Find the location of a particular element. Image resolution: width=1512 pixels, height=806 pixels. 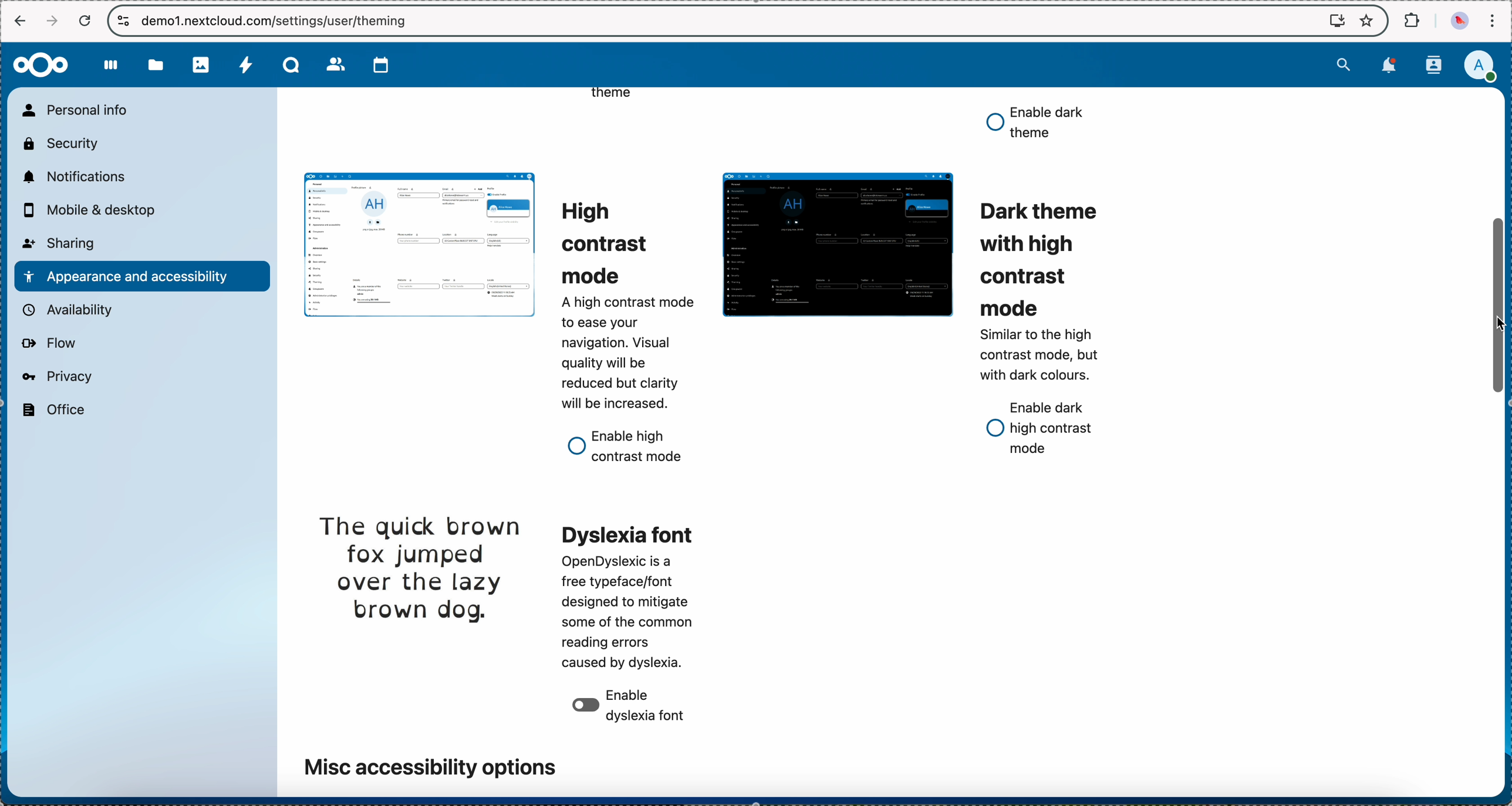

photos is located at coordinates (201, 66).